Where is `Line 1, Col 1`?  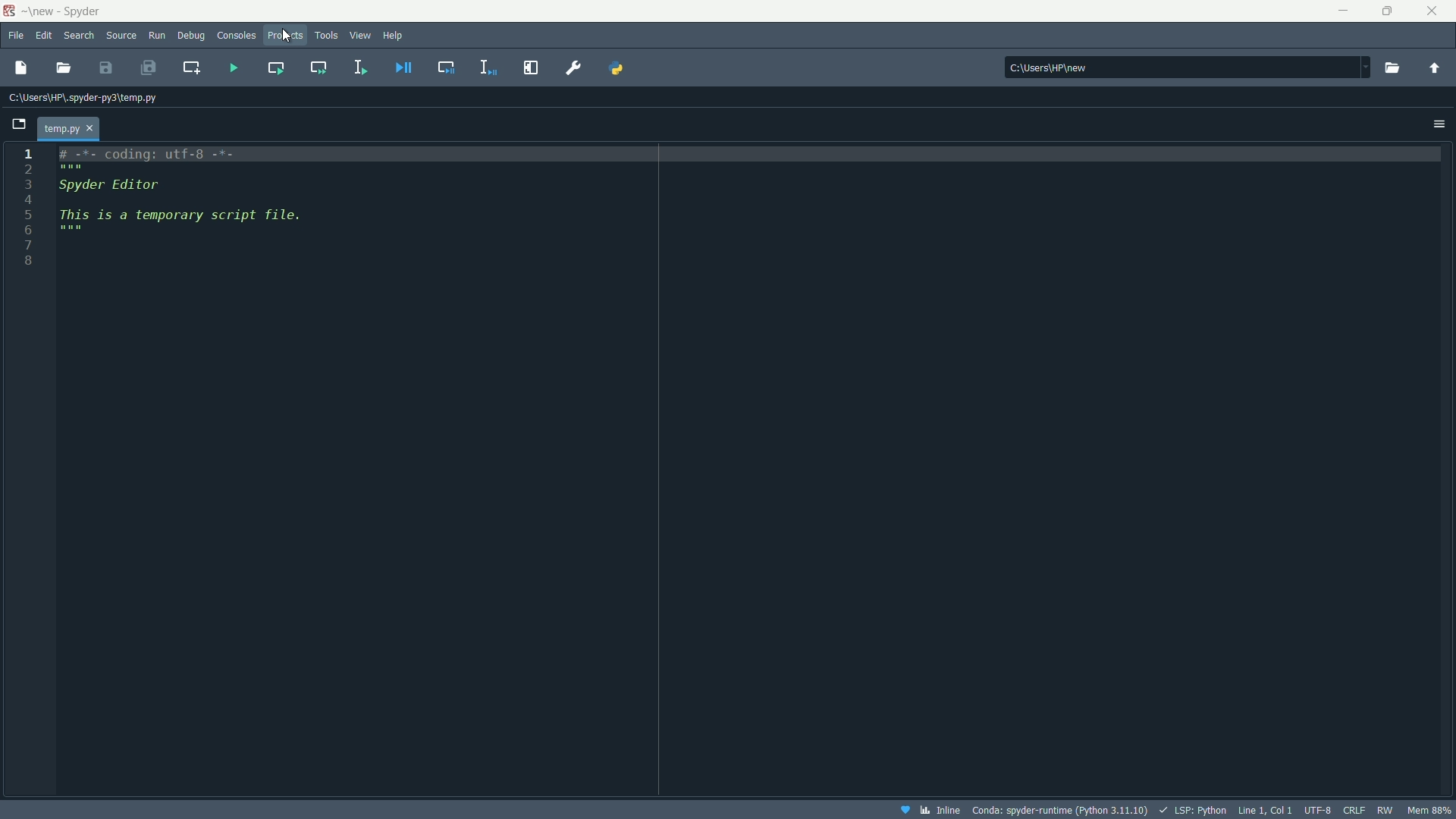
Line 1, Col 1 is located at coordinates (1265, 809).